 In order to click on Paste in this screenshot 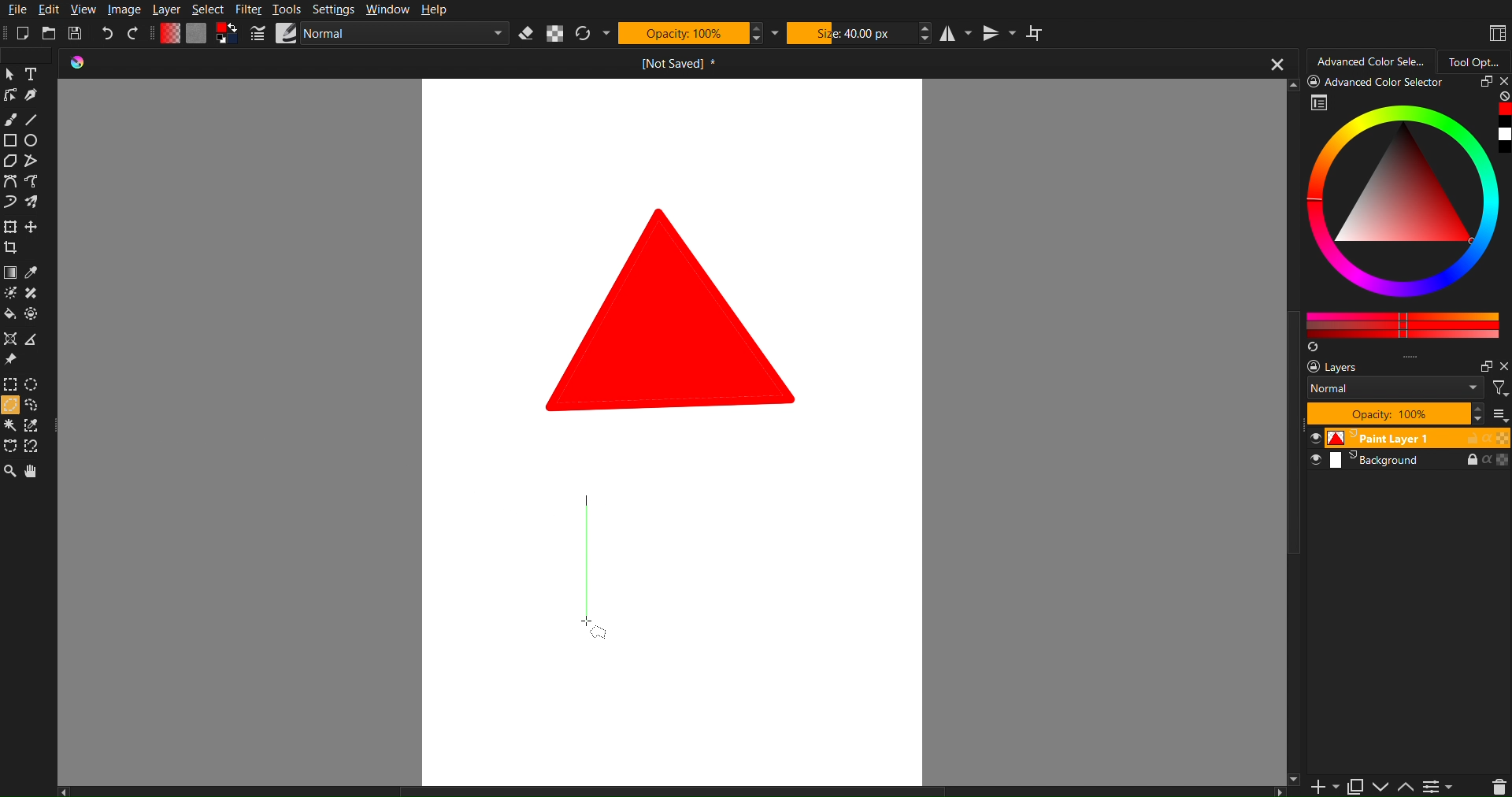, I will do `click(1354, 784)`.